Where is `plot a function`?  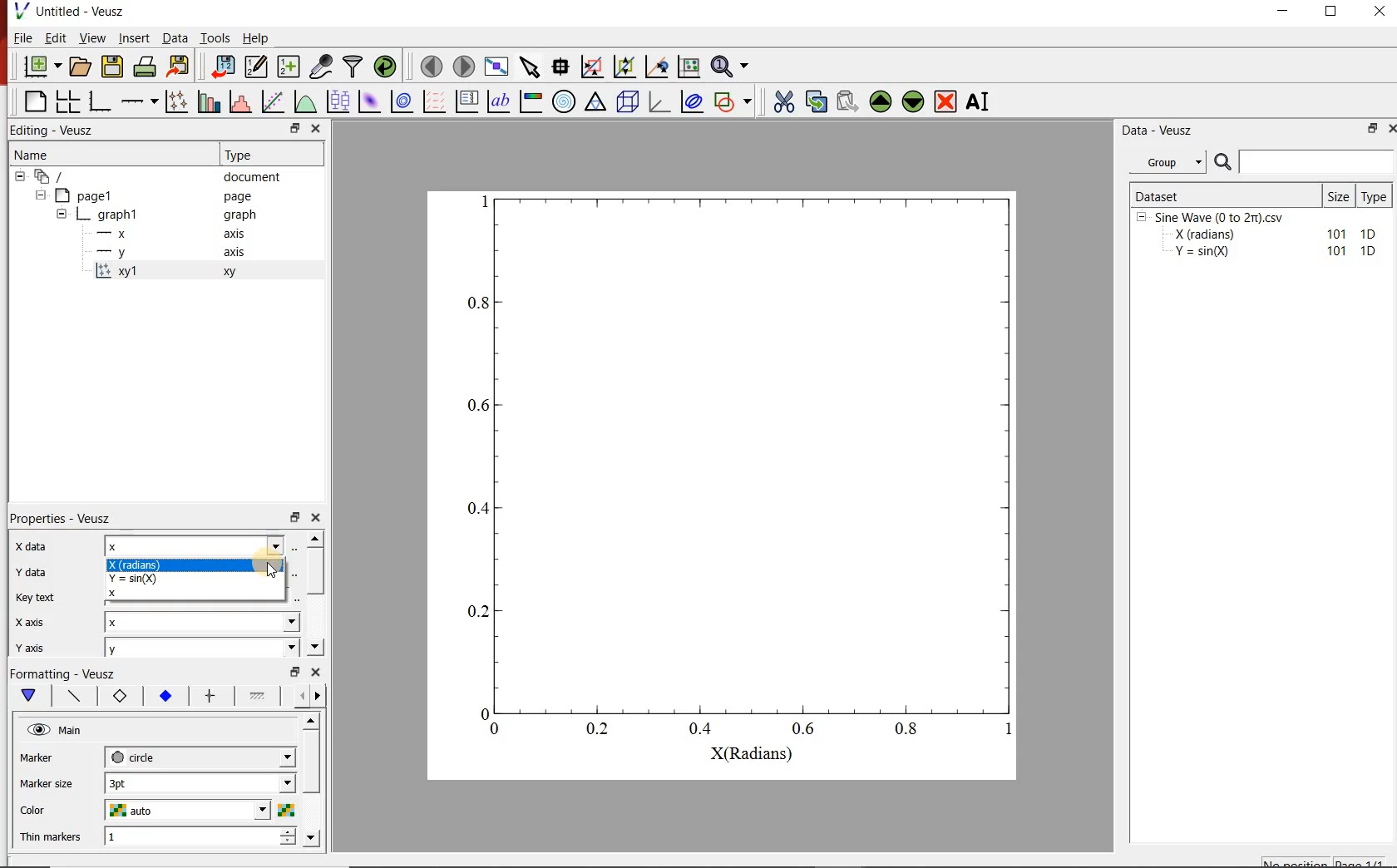
plot a function is located at coordinates (307, 101).